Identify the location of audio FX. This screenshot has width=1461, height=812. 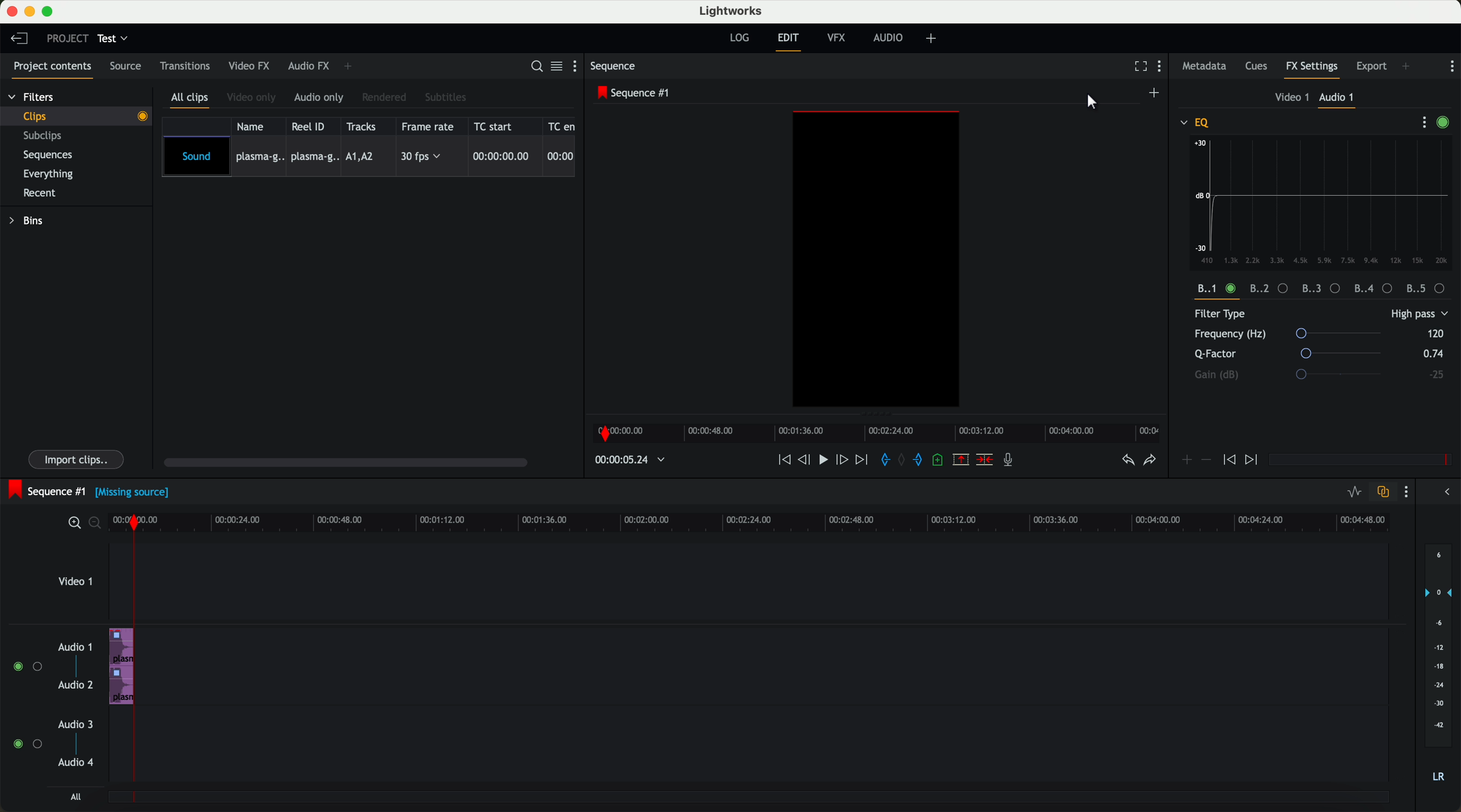
(308, 66).